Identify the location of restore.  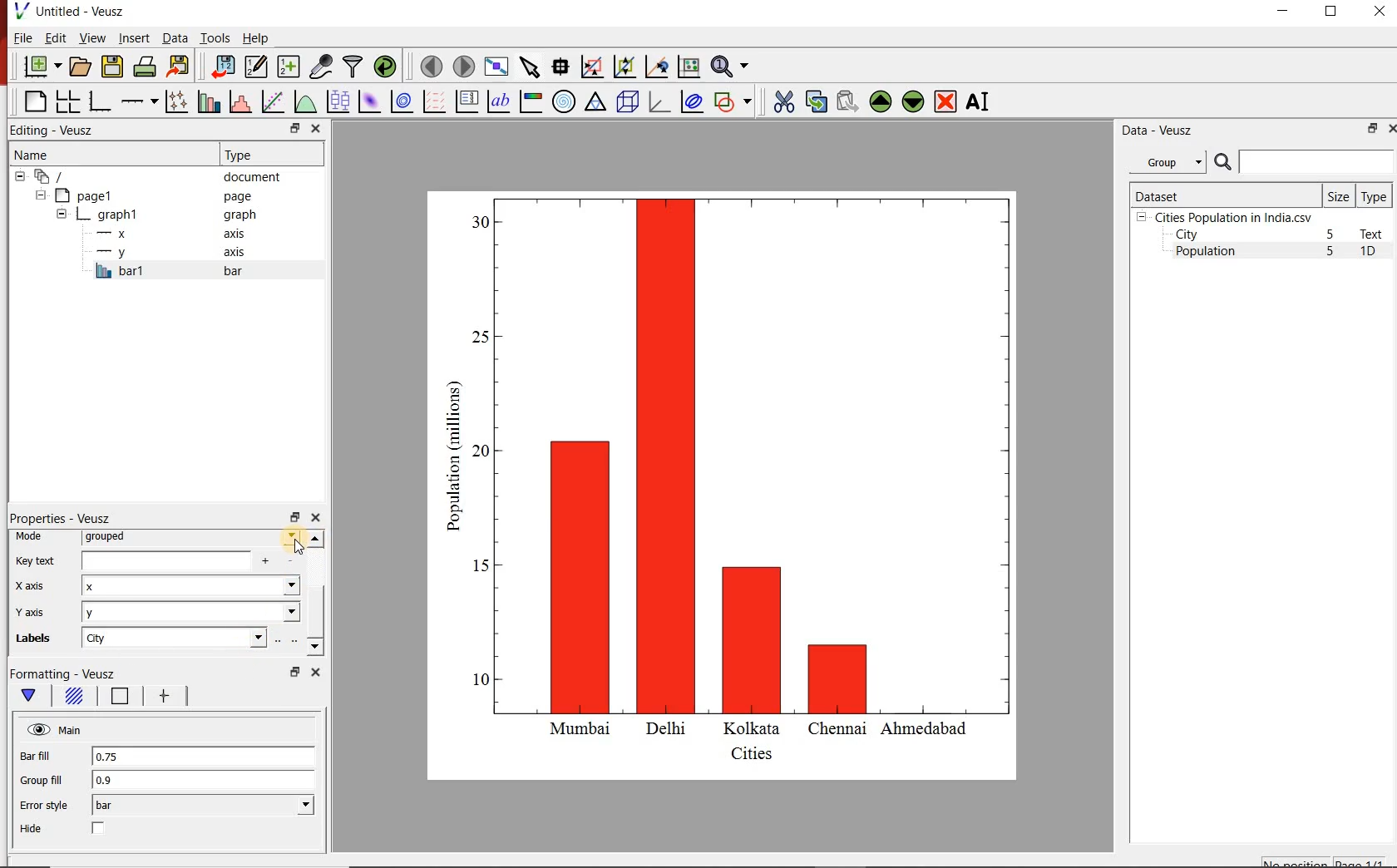
(294, 128).